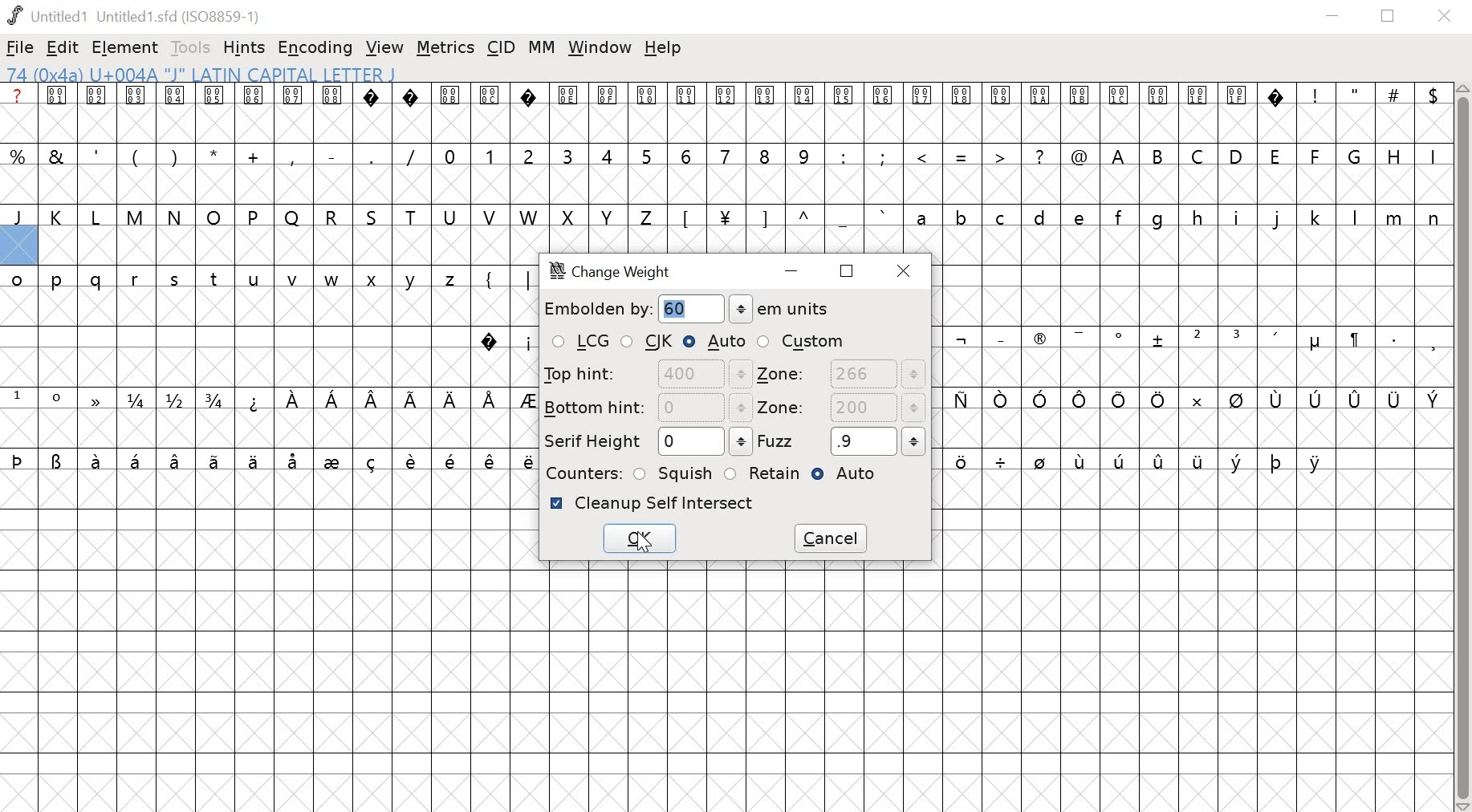  Describe the element at coordinates (644, 95) in the screenshot. I see `glyph symbols` at that location.